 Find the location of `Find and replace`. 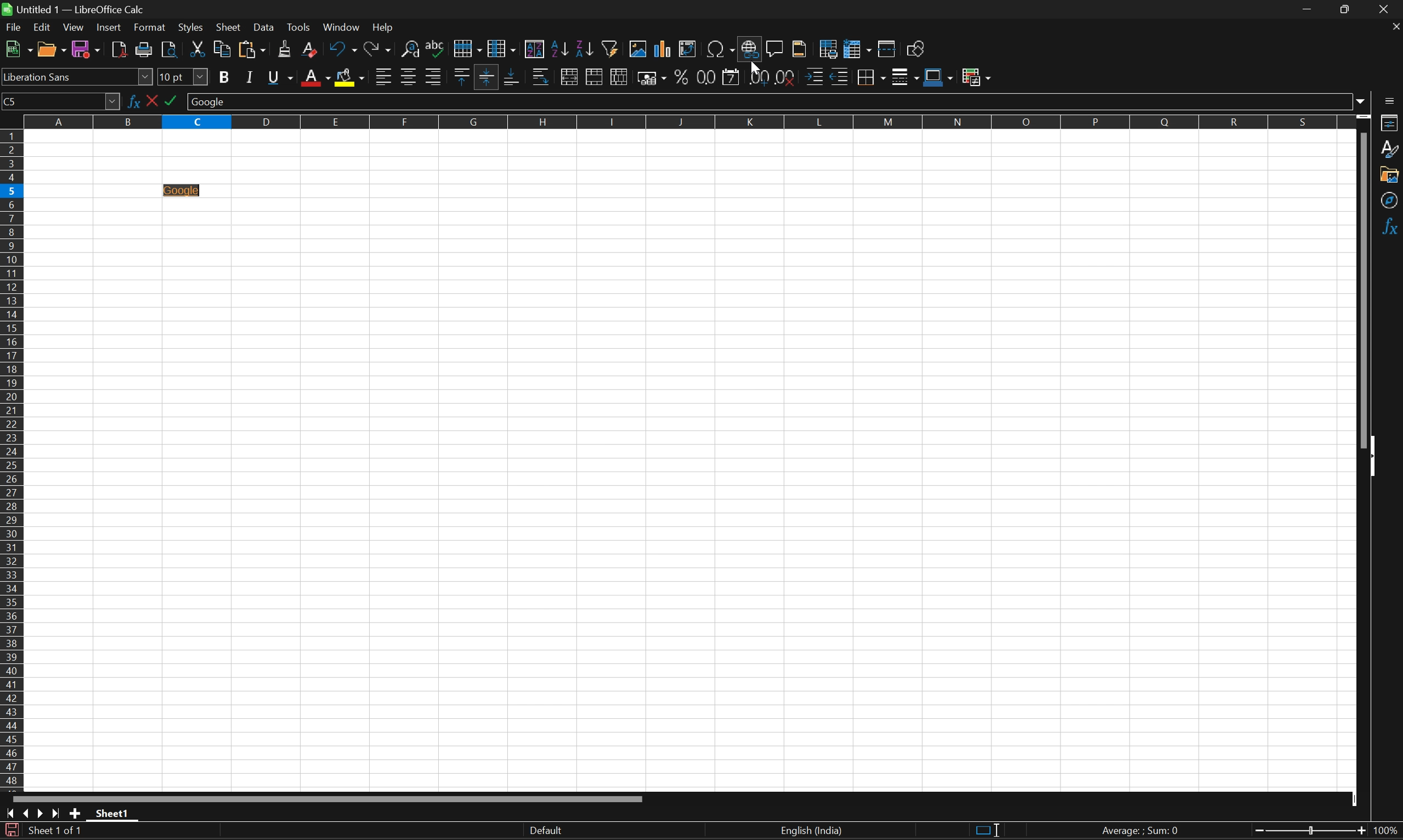

Find and replace is located at coordinates (412, 48).